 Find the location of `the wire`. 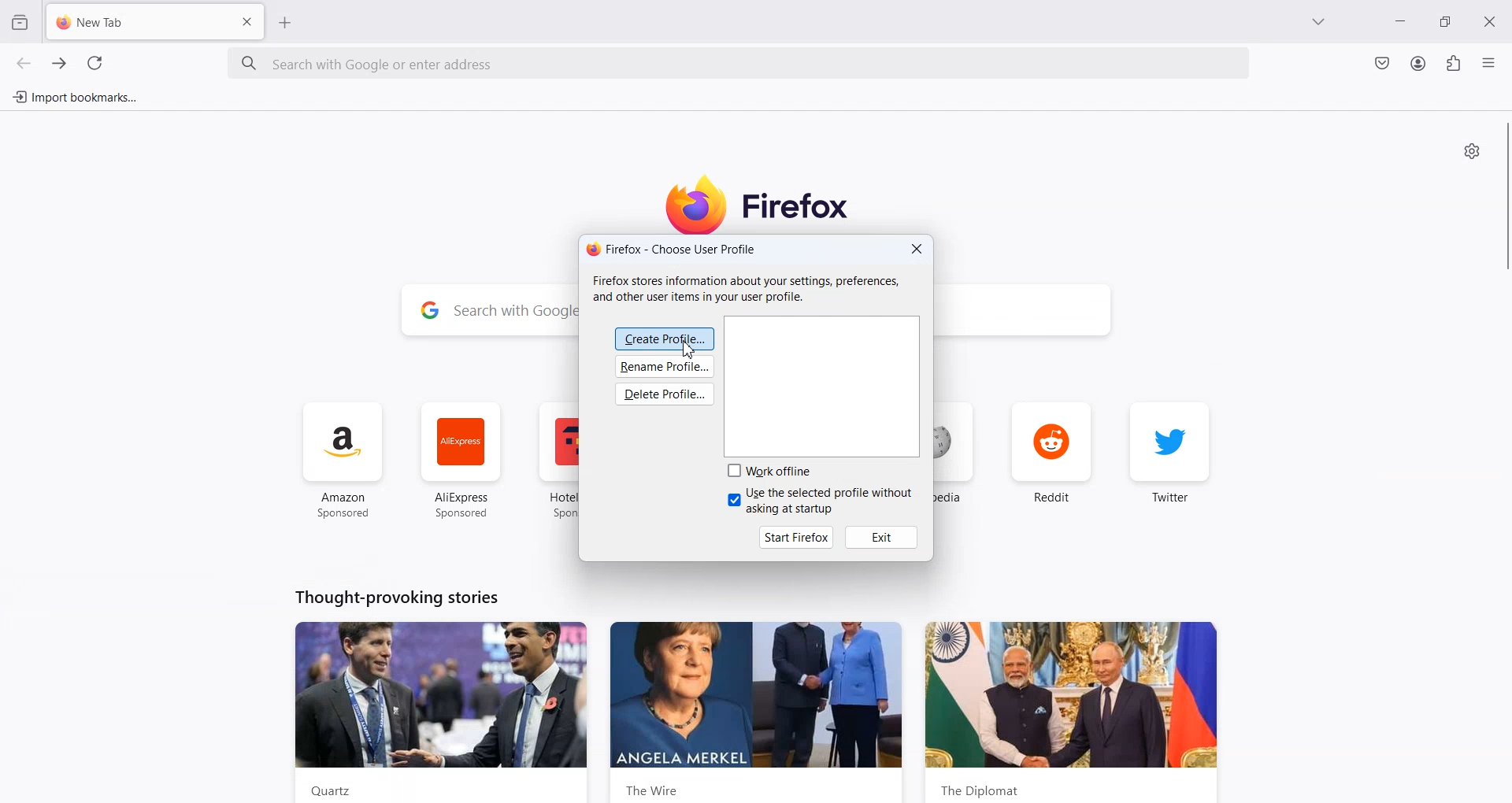

the wire is located at coordinates (758, 712).